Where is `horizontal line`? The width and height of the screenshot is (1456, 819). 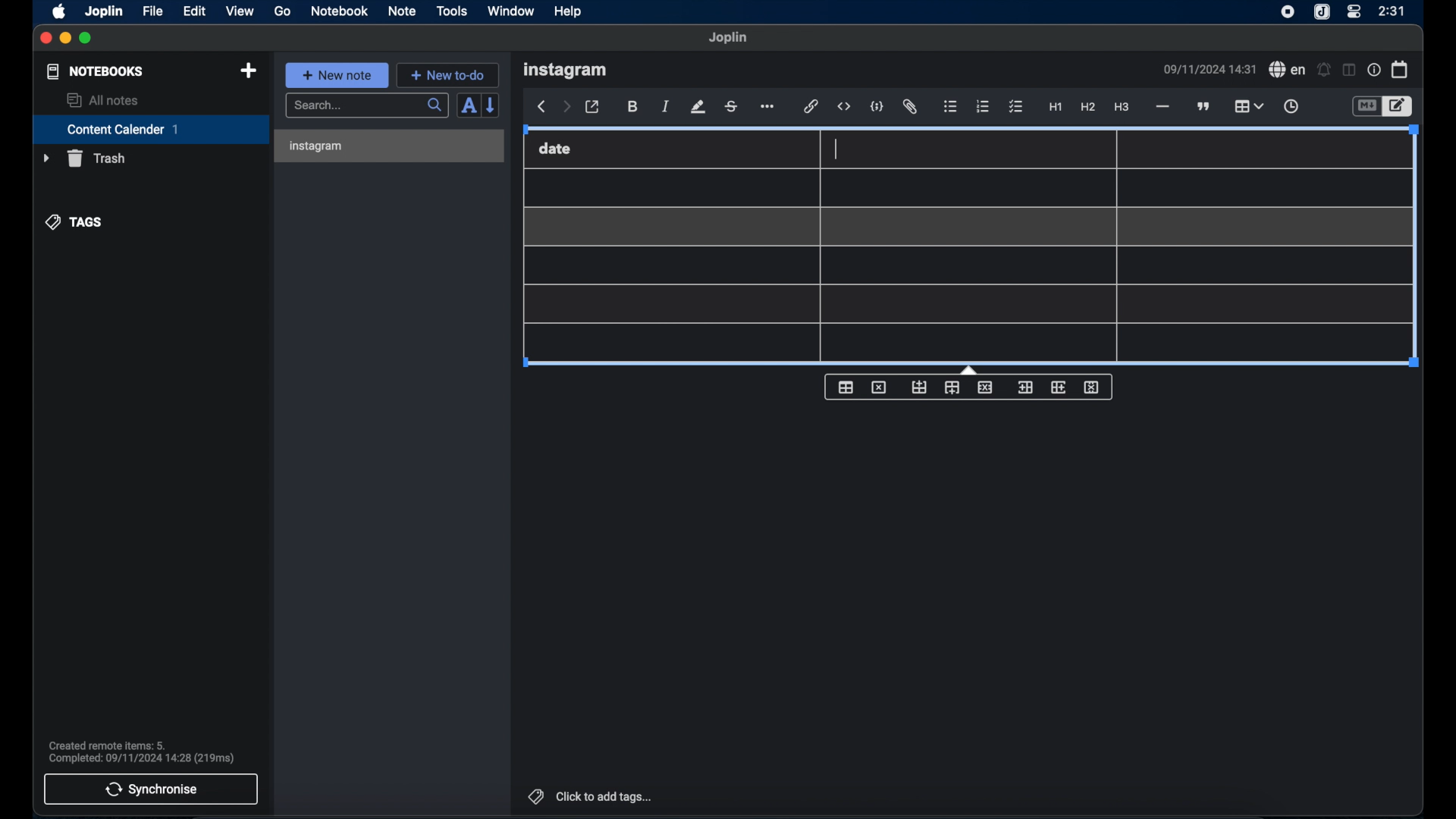 horizontal line is located at coordinates (1163, 108).